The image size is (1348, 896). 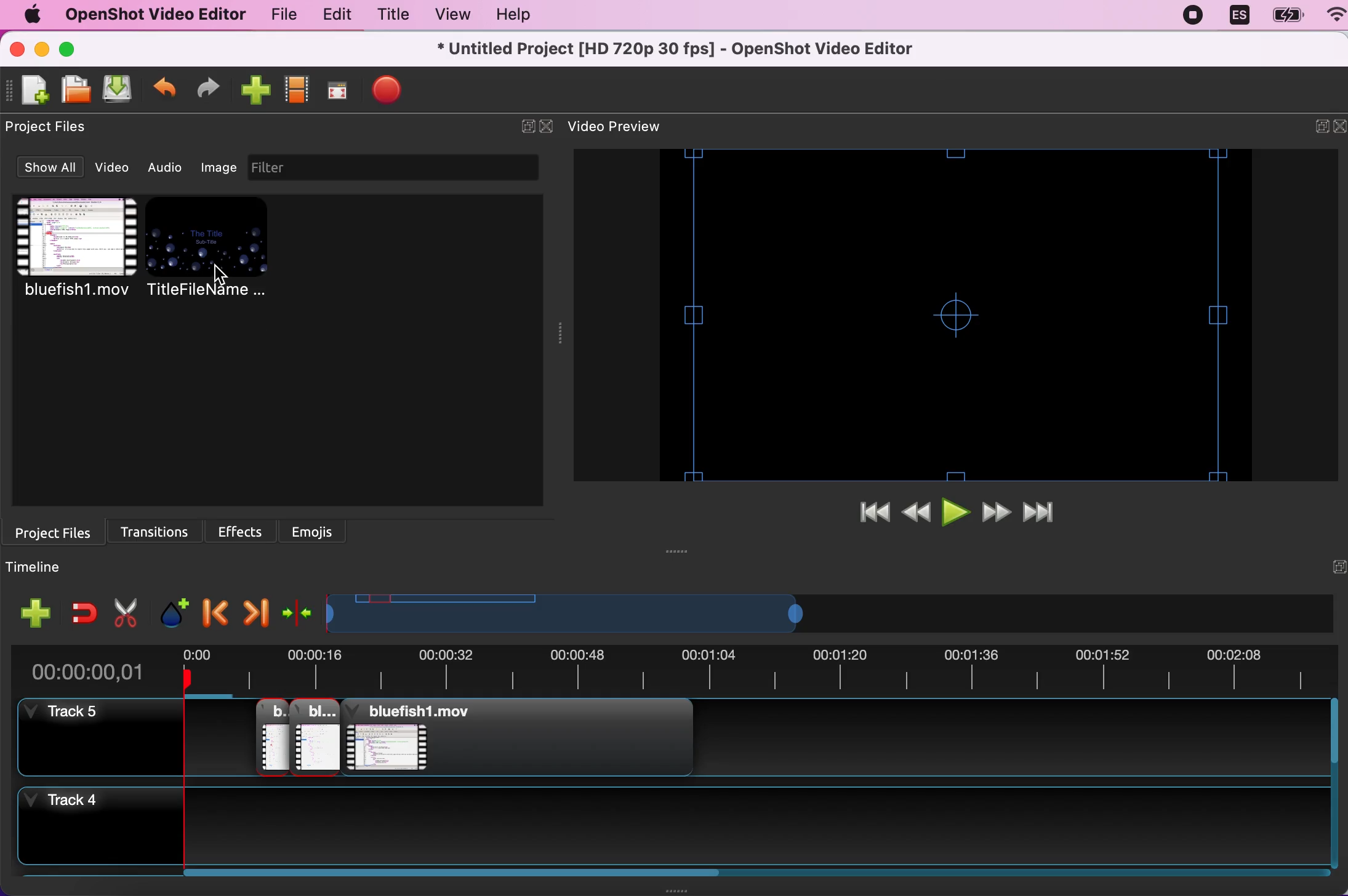 I want to click on play, so click(x=957, y=514).